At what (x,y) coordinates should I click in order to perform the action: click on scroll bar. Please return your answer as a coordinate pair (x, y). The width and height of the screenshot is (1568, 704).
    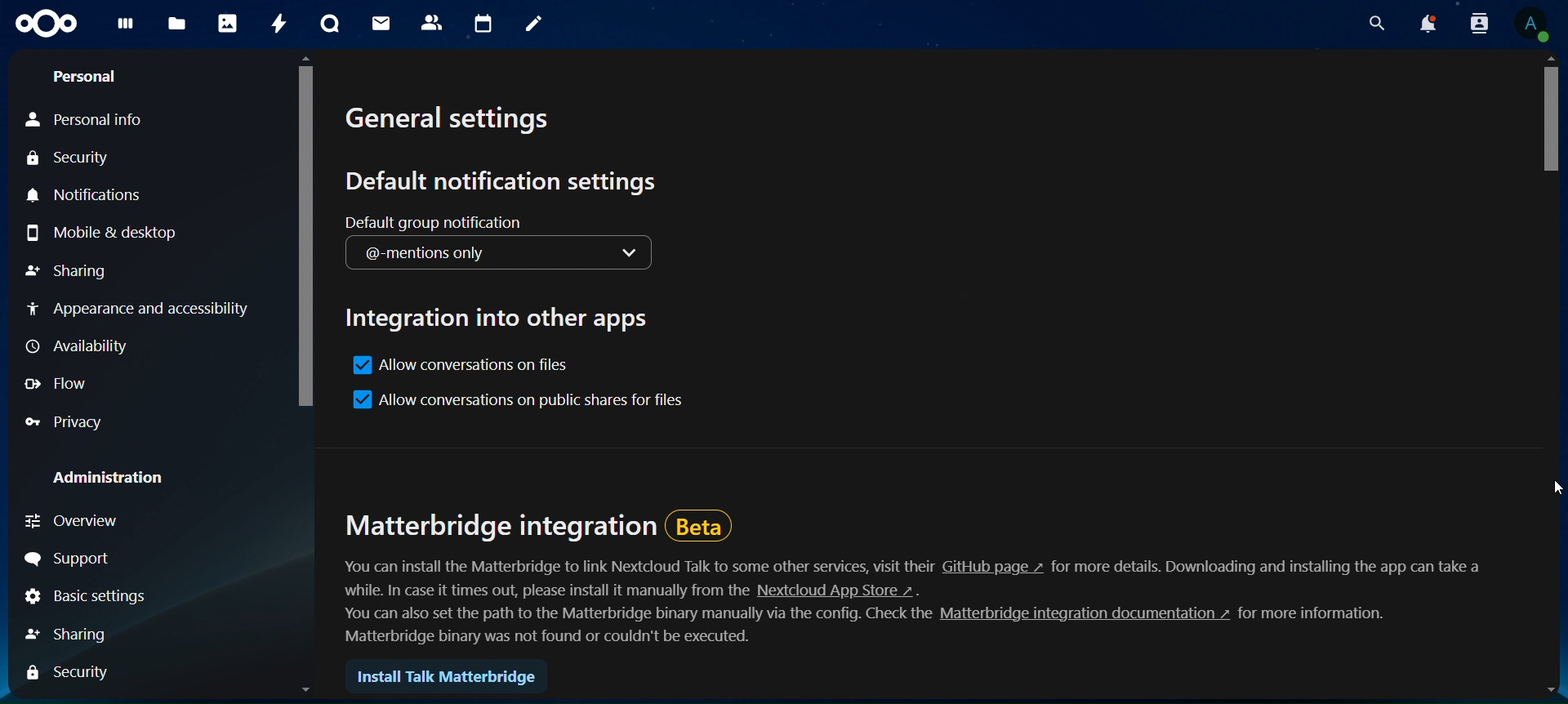
    Looking at the image, I should click on (1551, 380).